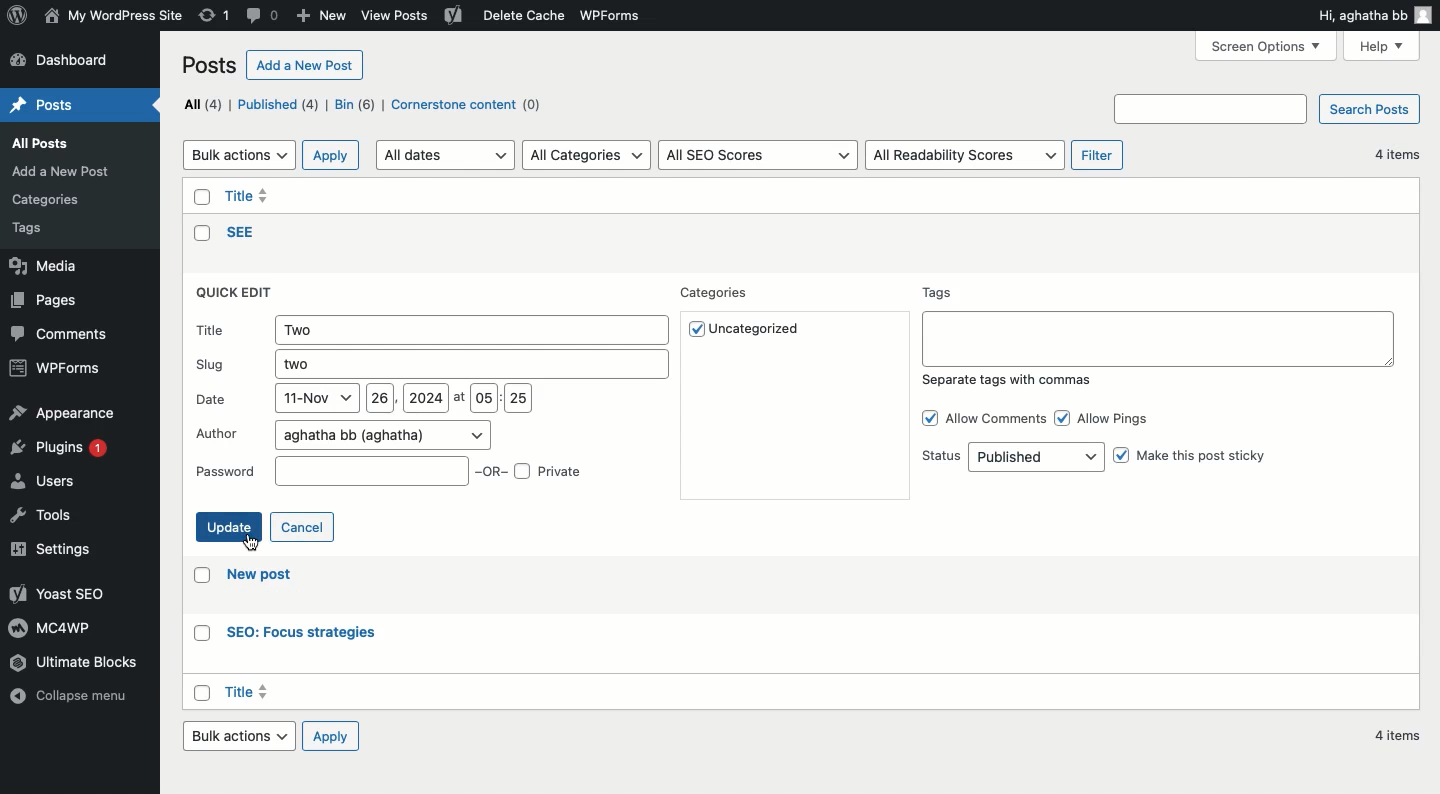  I want to click on Add a new post, so click(66, 171).